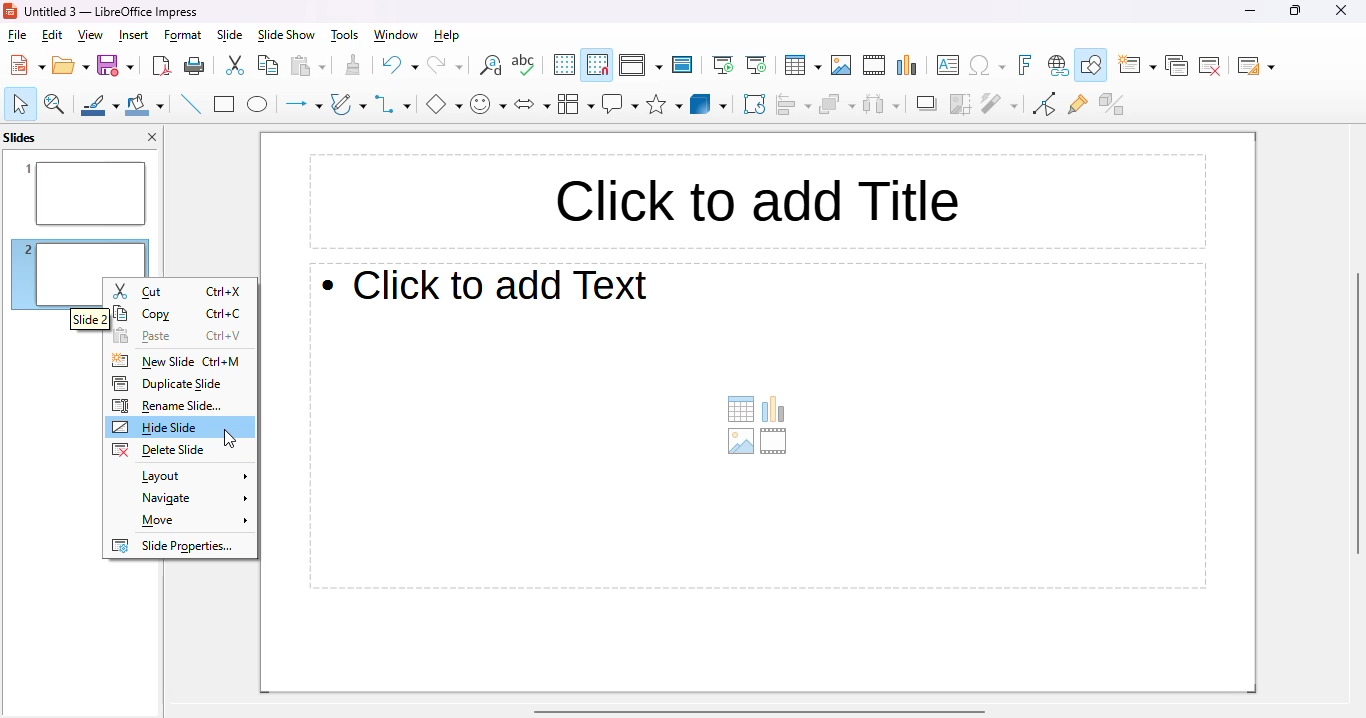  I want to click on Ctrl+X, so click(224, 291).